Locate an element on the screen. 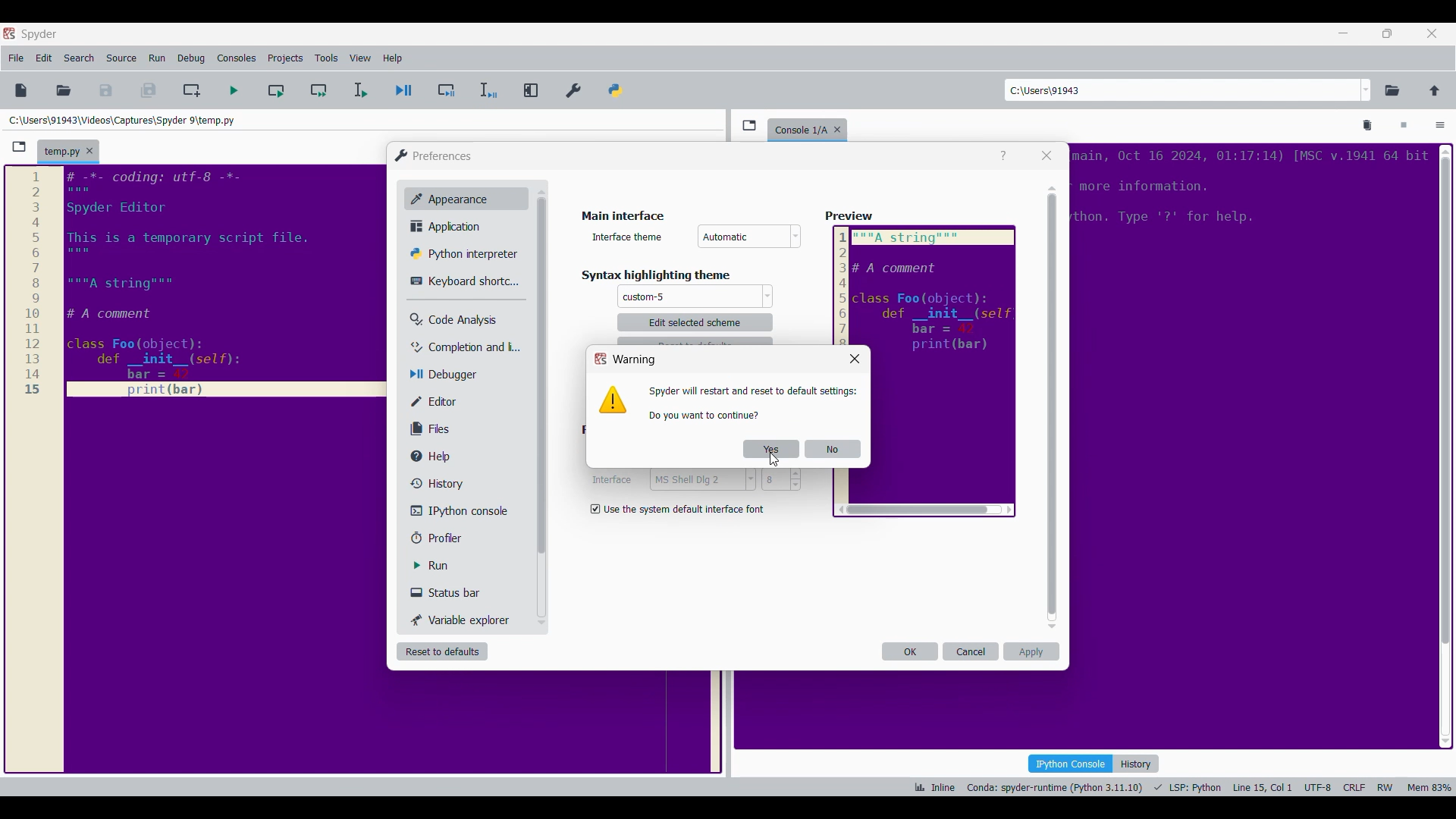 Image resolution: width=1456 pixels, height=819 pixels. IPython console is located at coordinates (466, 510).